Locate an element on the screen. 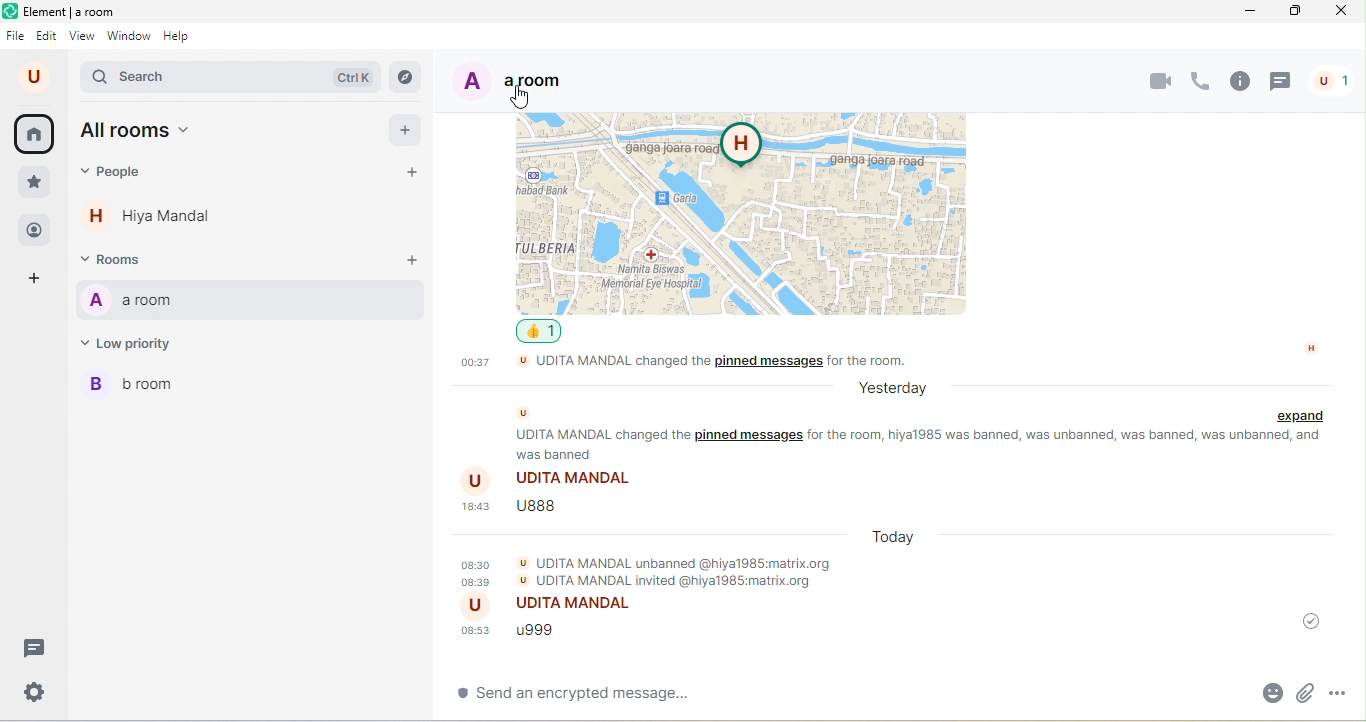 The image size is (1366, 722). yesterday is located at coordinates (883, 387).